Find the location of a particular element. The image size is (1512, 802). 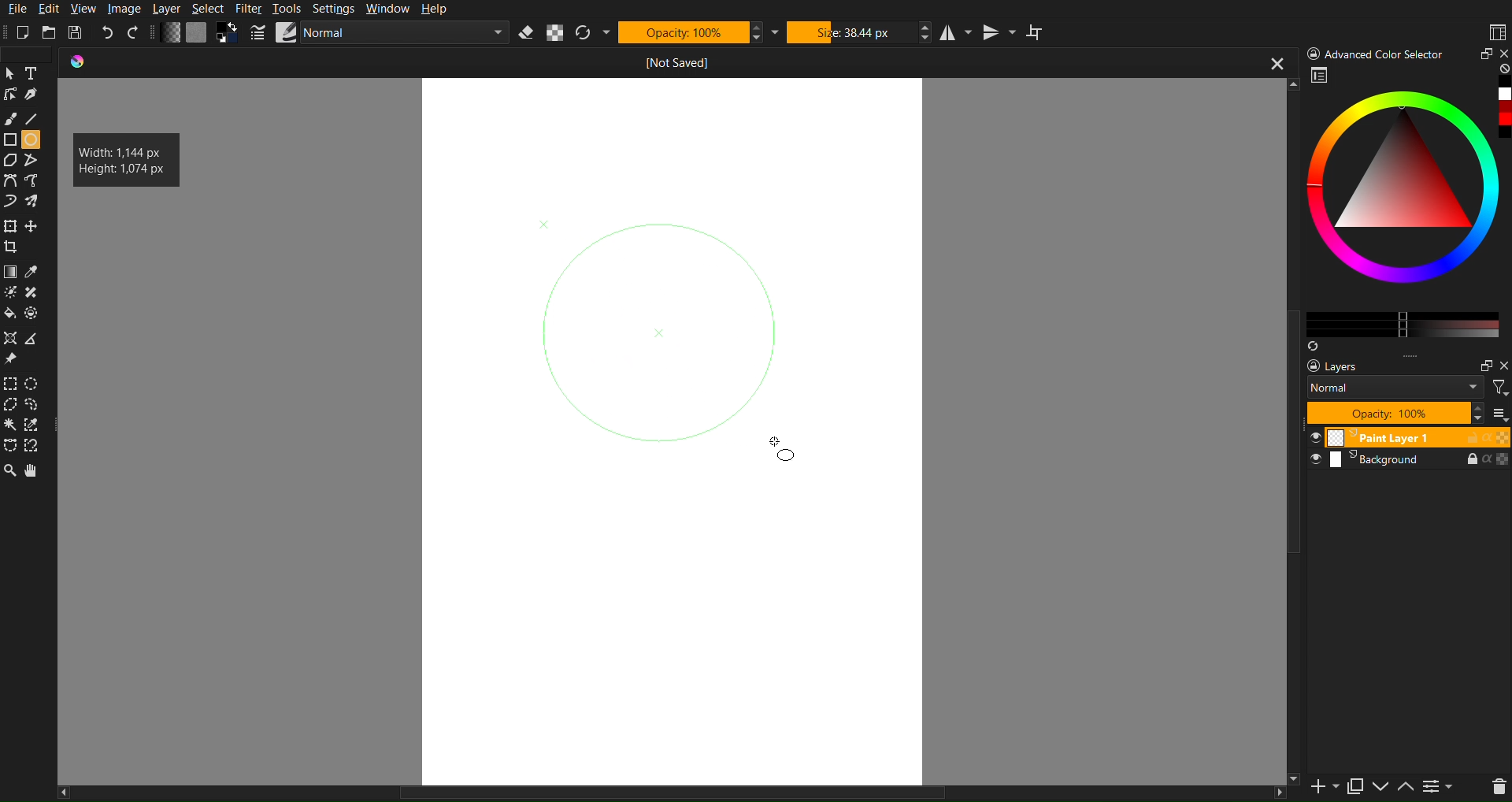

Polygon is located at coordinates (34, 339).